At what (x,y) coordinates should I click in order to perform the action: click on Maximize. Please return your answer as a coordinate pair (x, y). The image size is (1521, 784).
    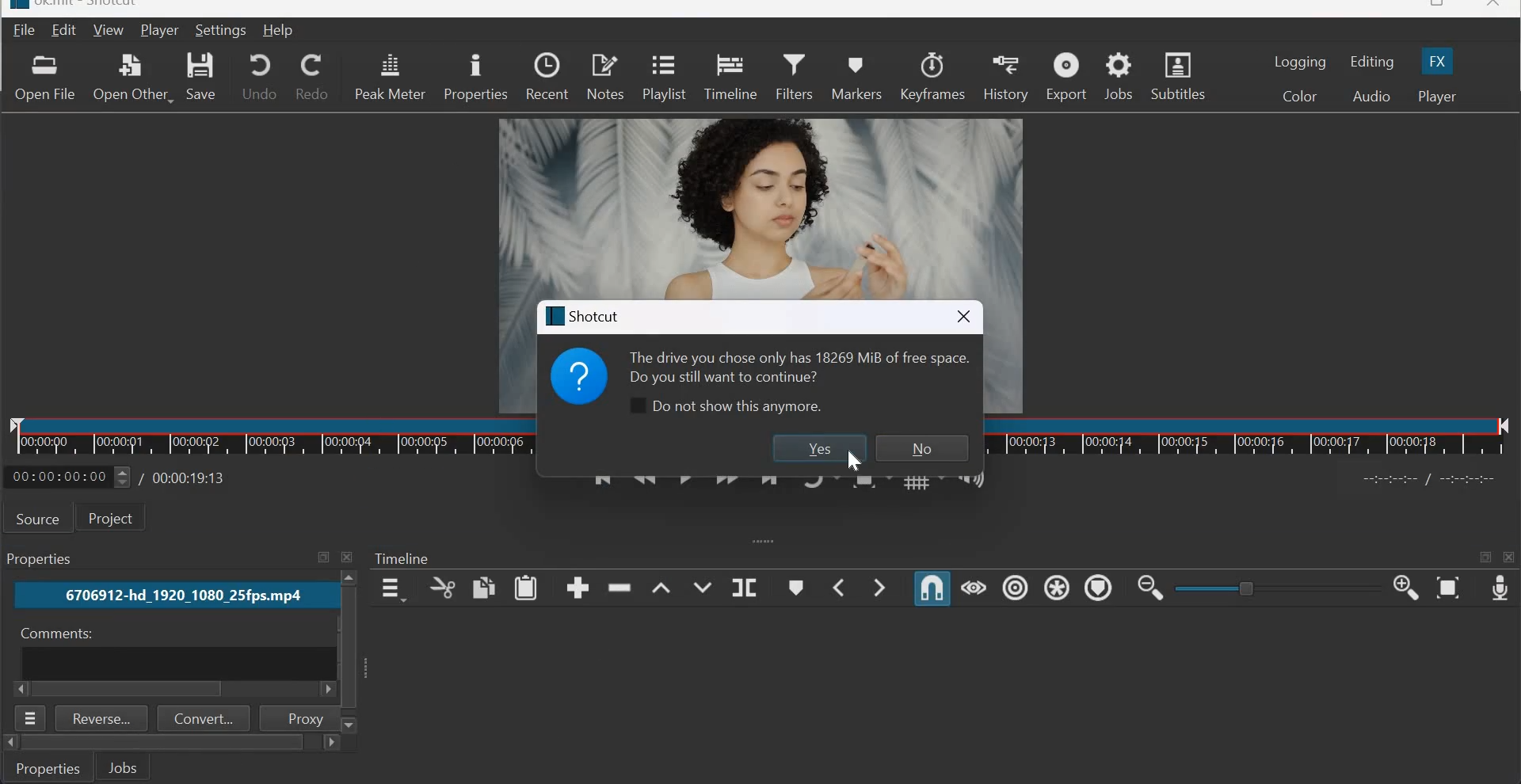
    Looking at the image, I should click on (323, 558).